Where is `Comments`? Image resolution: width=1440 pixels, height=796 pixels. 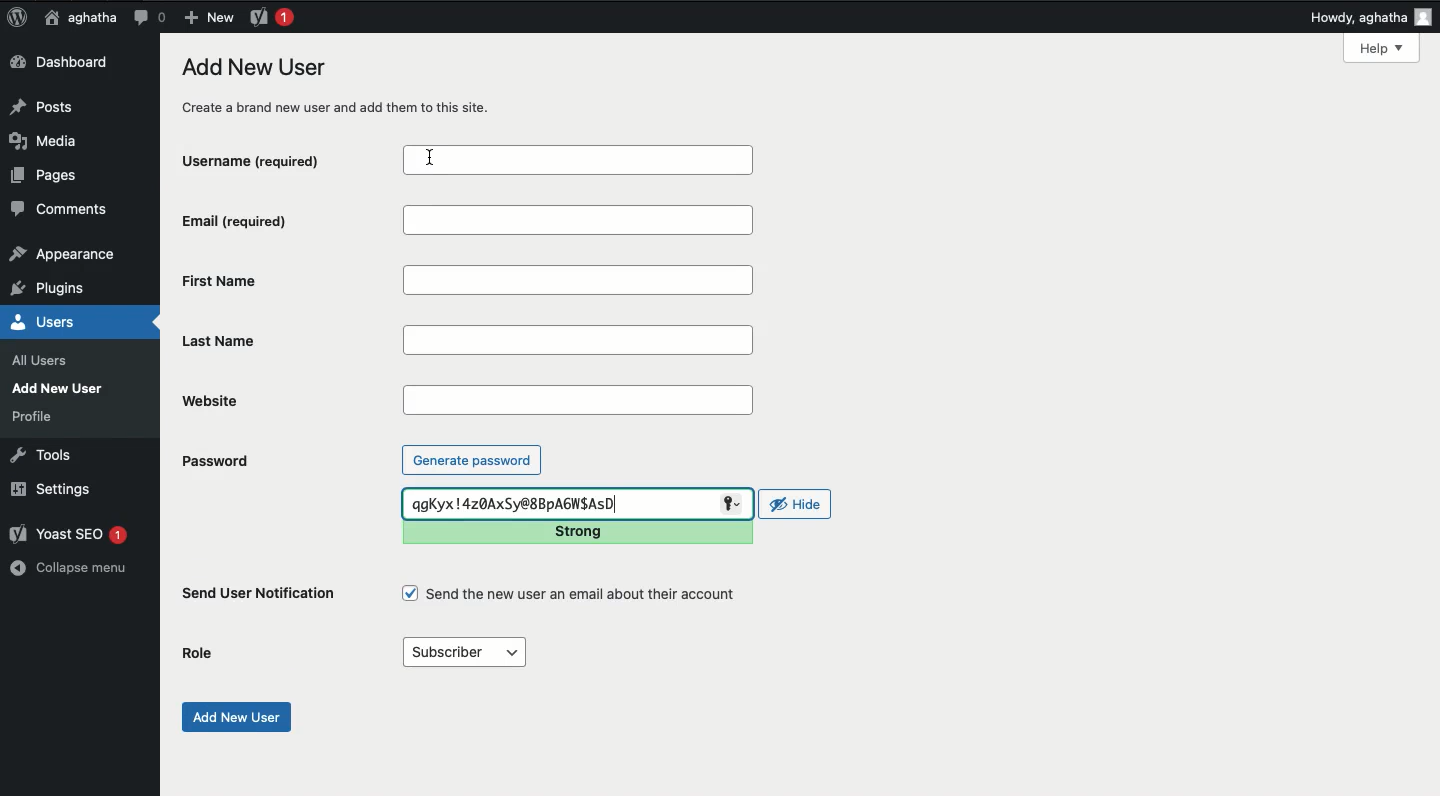
Comments is located at coordinates (61, 212).